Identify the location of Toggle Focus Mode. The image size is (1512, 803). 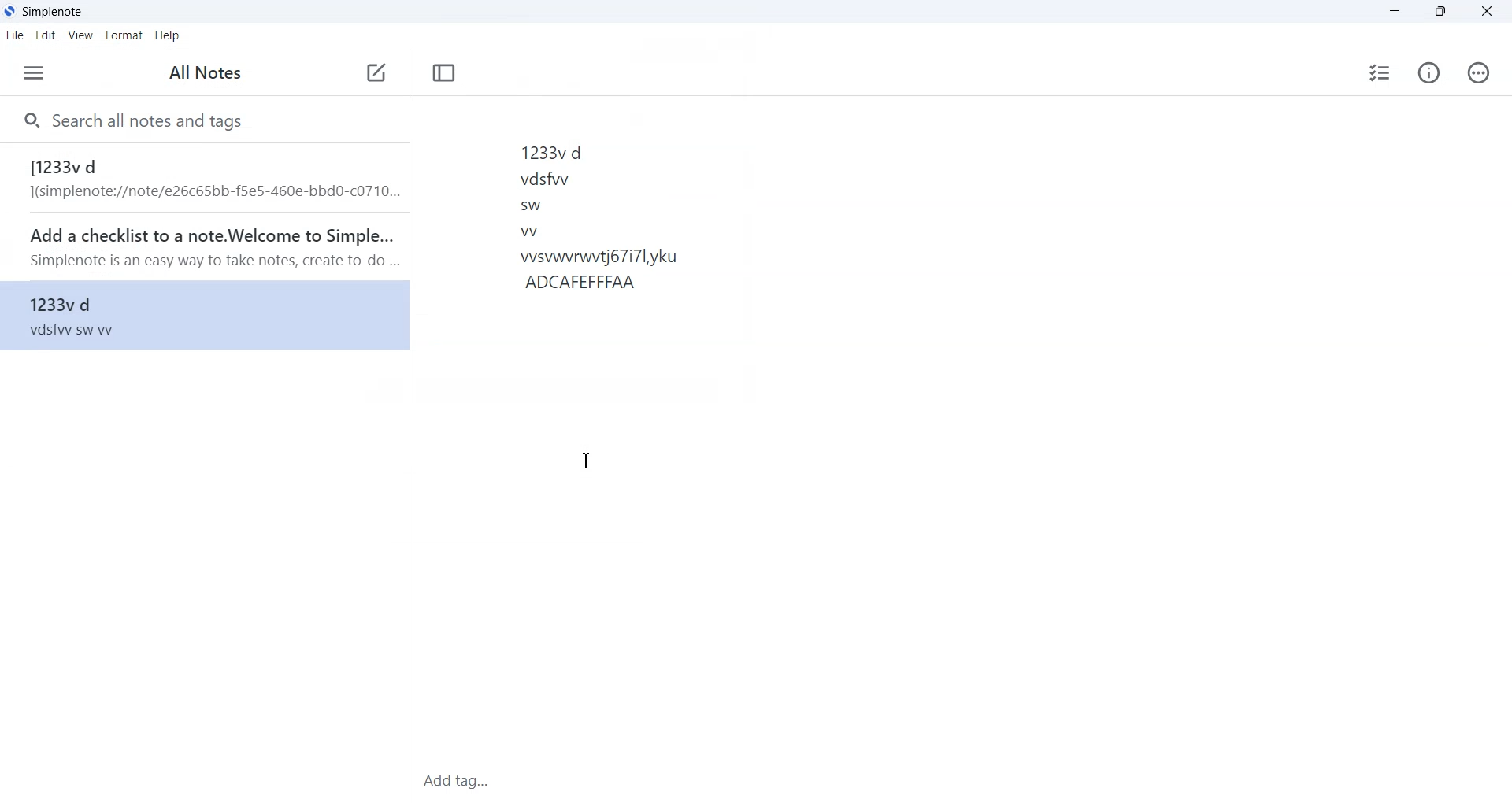
(444, 73).